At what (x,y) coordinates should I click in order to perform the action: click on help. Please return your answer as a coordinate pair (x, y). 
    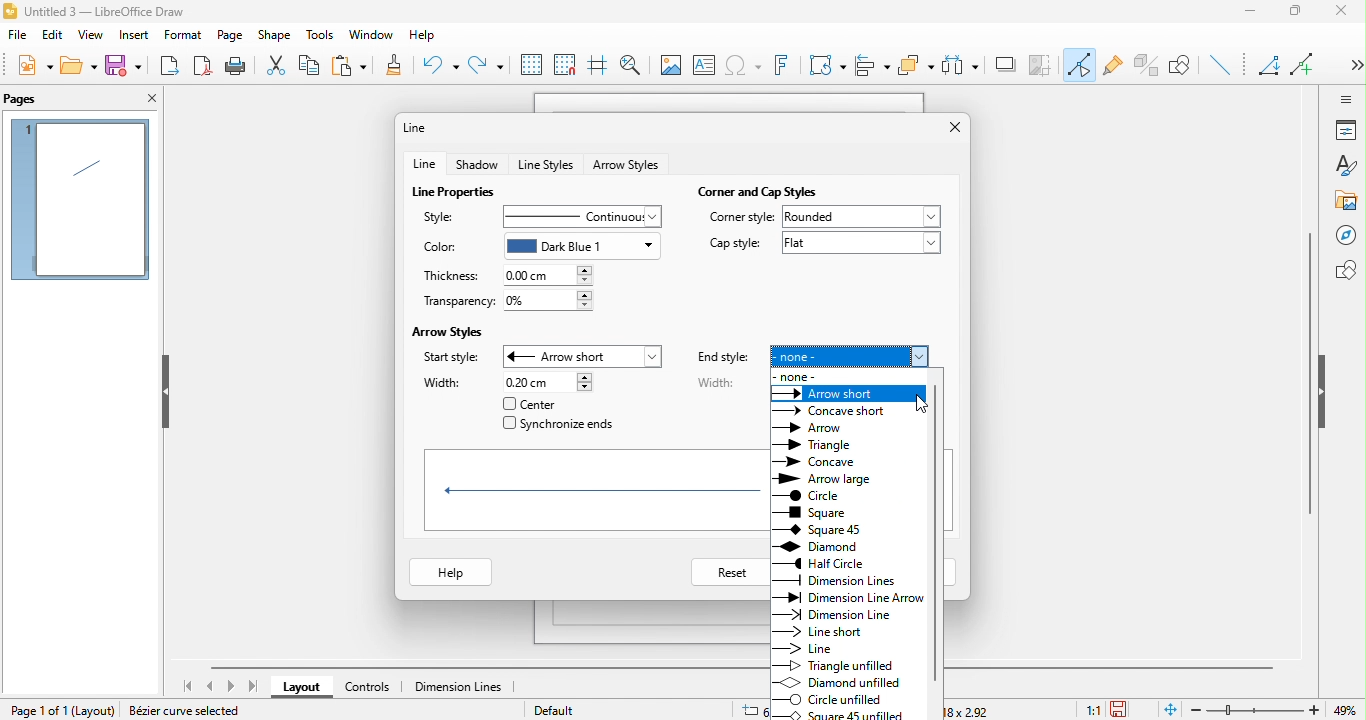
    Looking at the image, I should click on (421, 37).